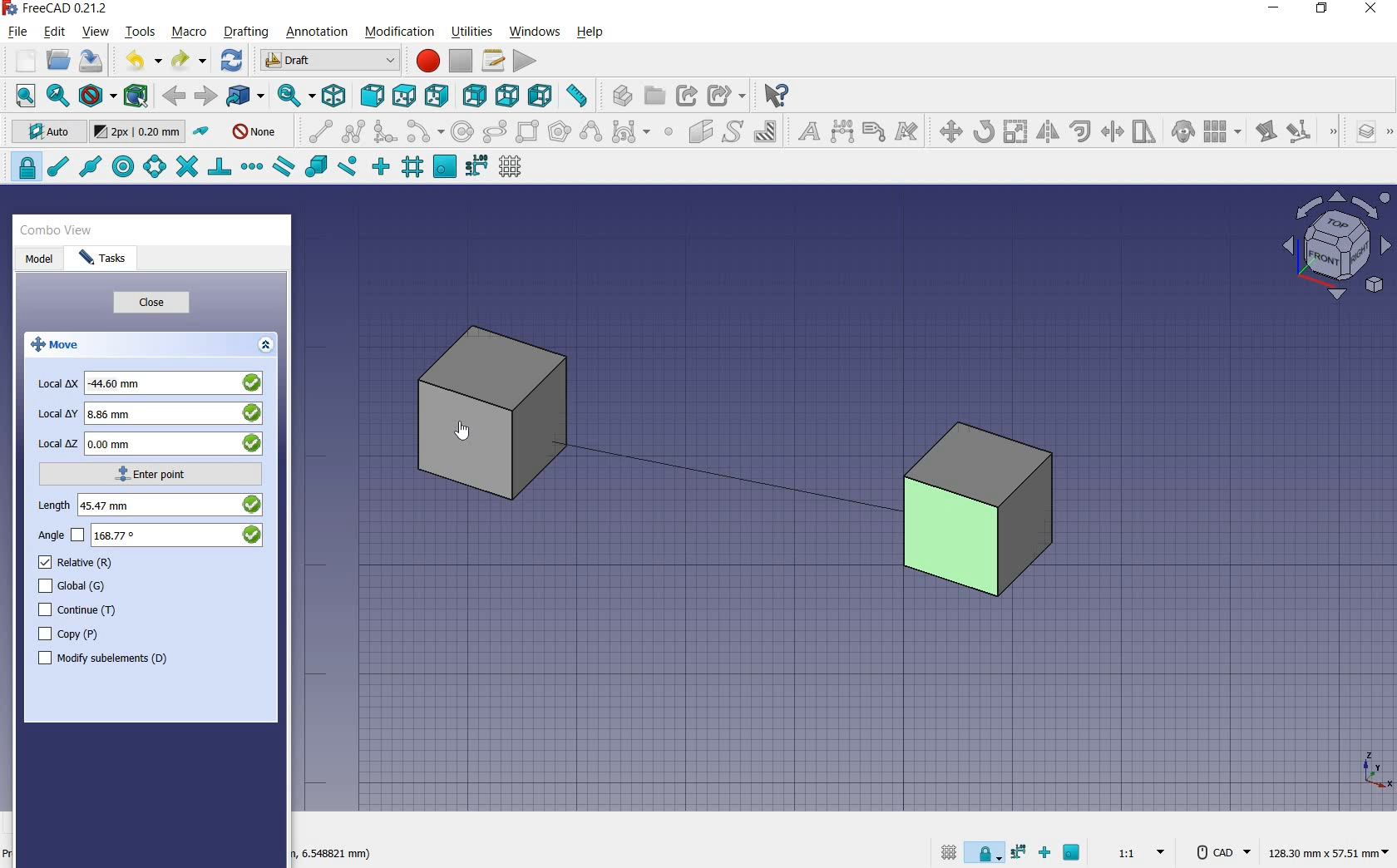 The width and height of the screenshot is (1397, 868). I want to click on right, so click(437, 95).